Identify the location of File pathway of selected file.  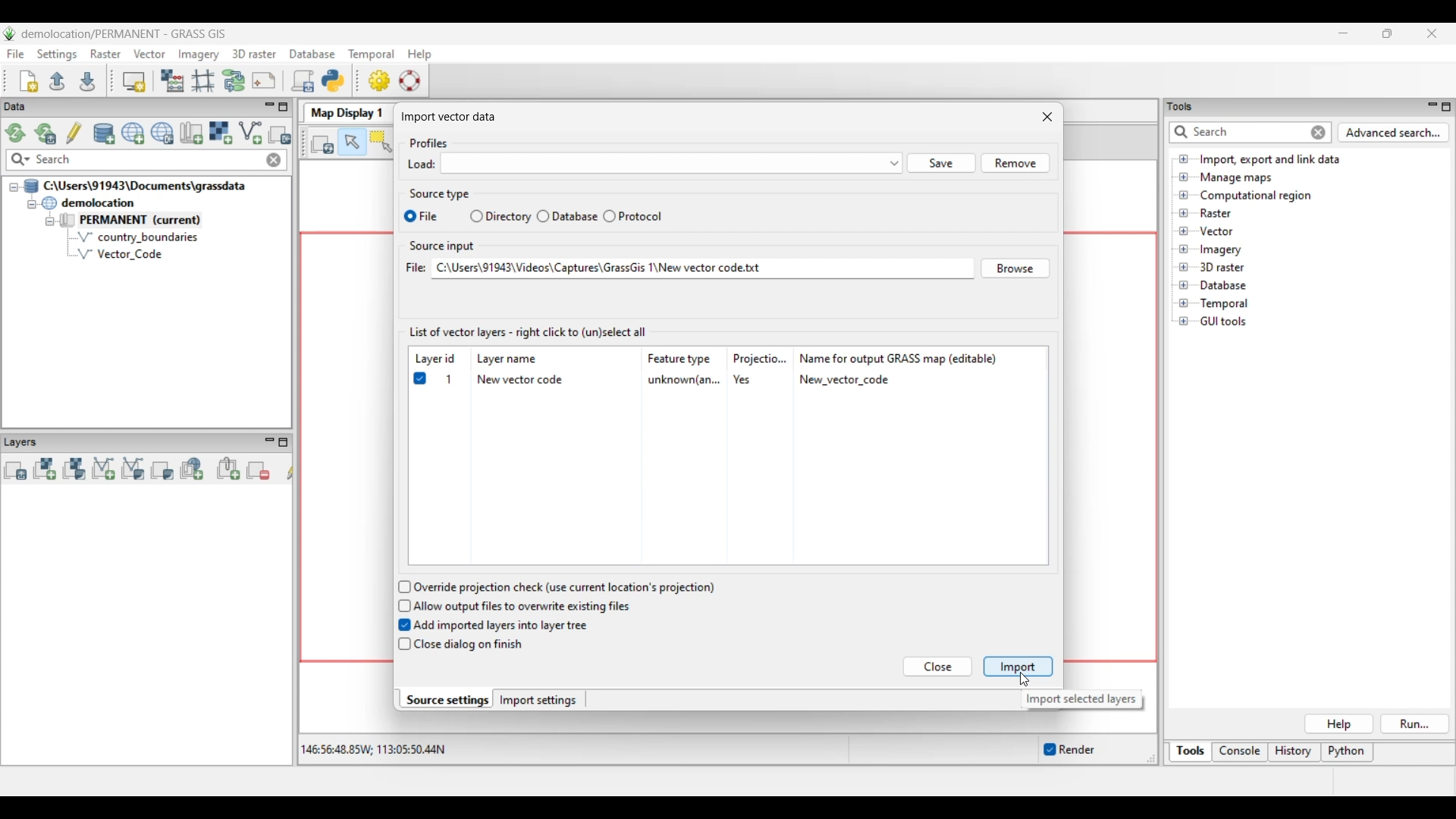
(702, 268).